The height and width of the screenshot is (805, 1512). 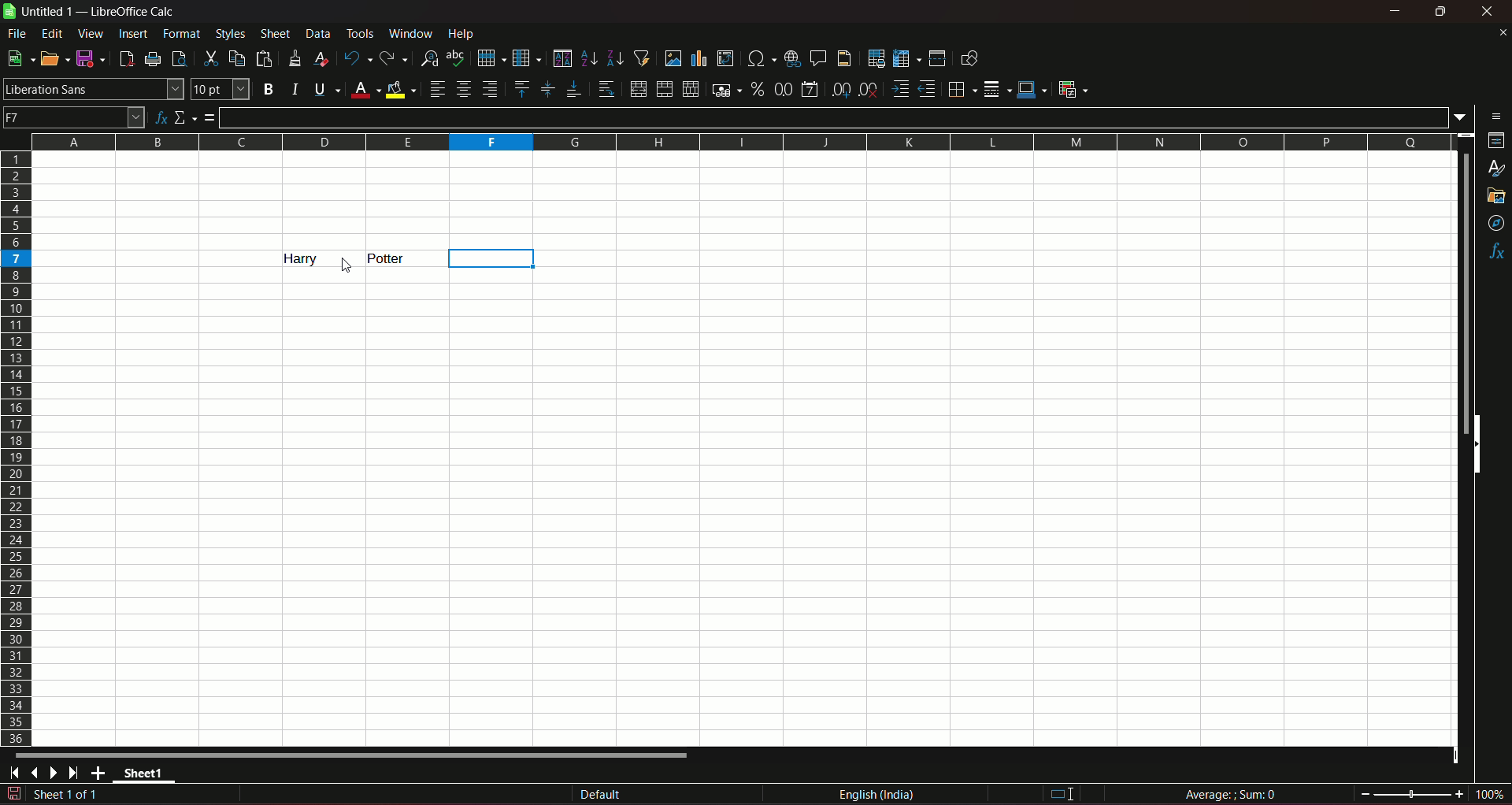 I want to click on sort ascending, so click(x=590, y=57).